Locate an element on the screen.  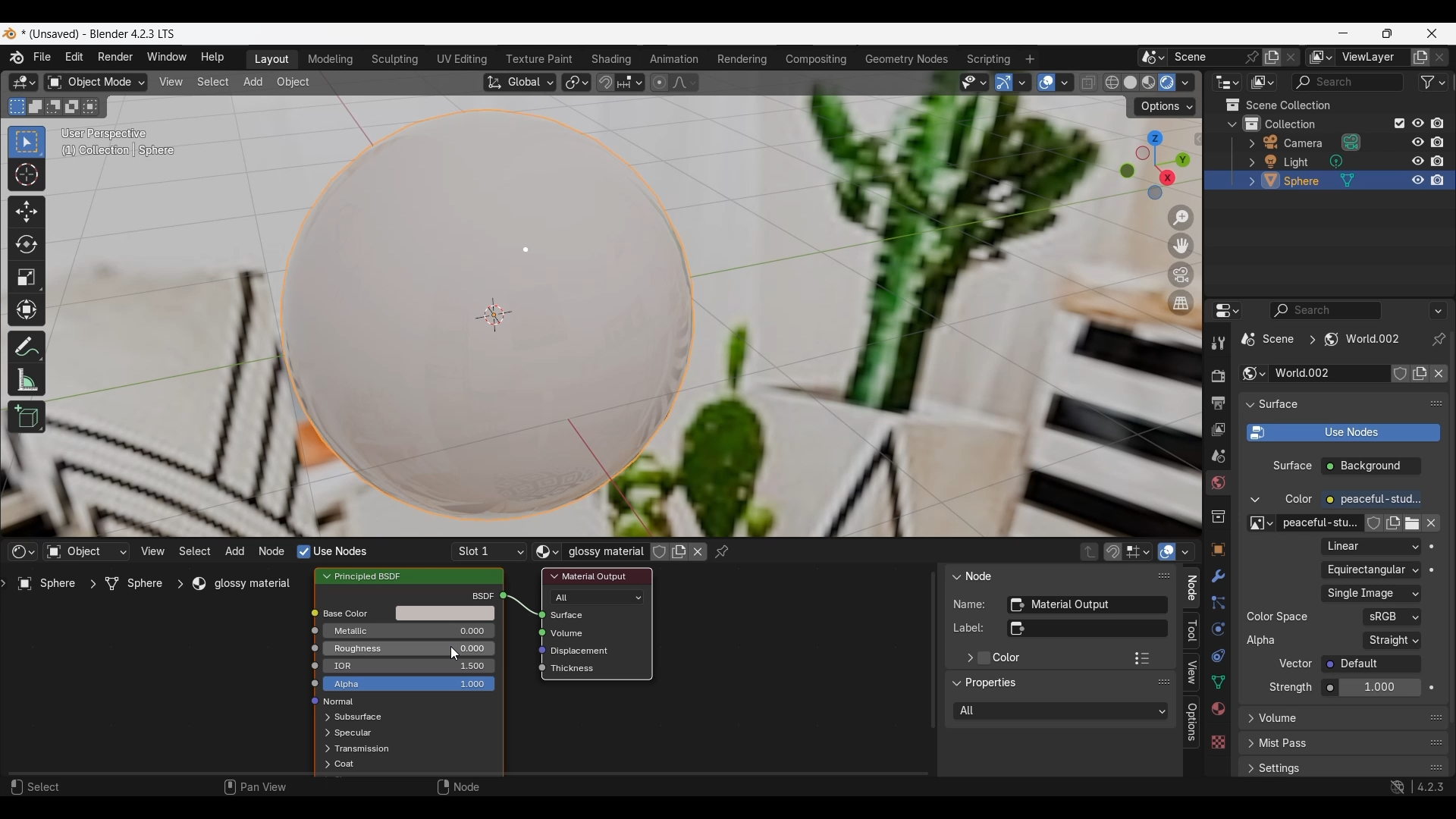
Toggle the camera view is located at coordinates (1182, 275).